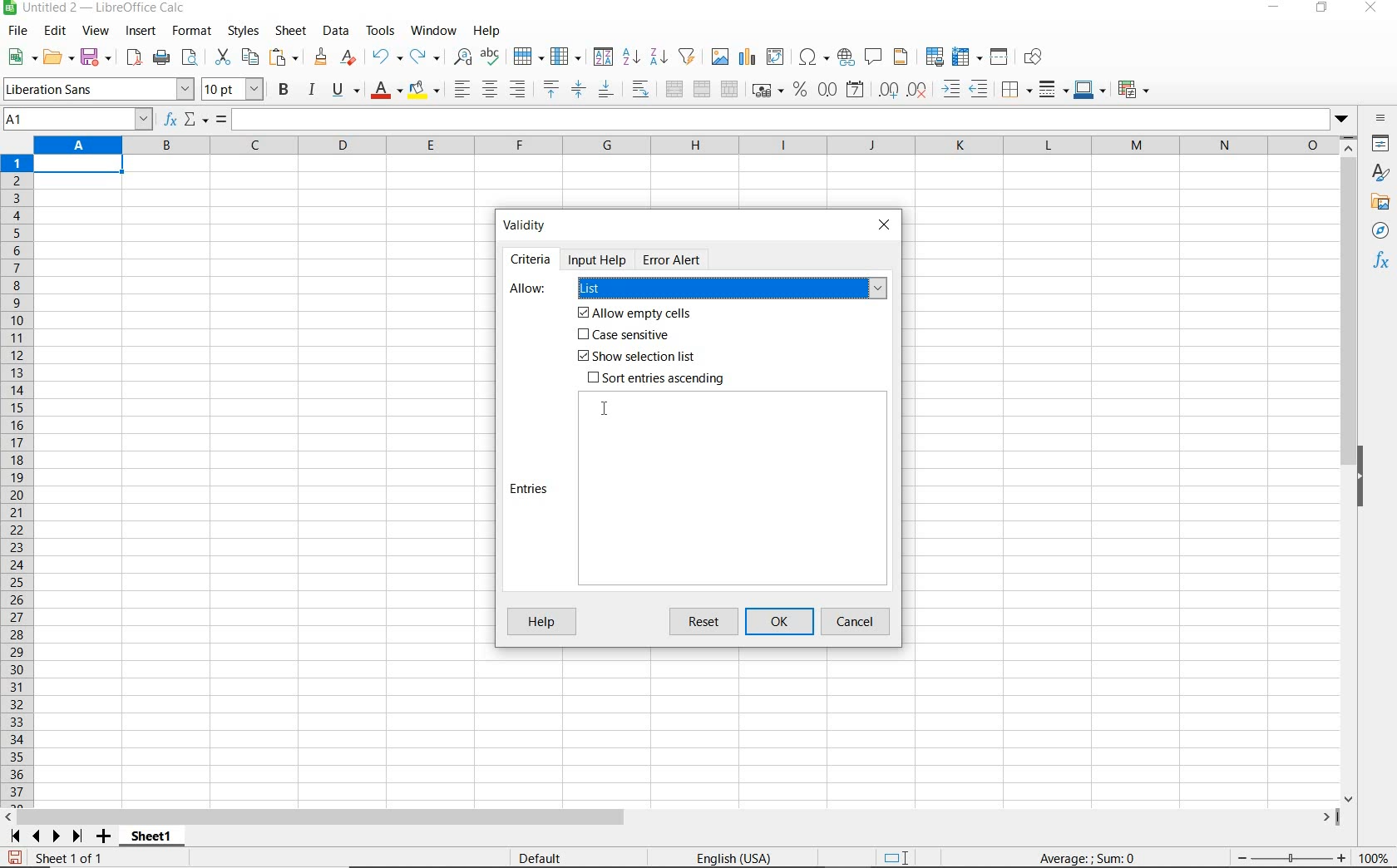 Image resolution: width=1397 pixels, height=868 pixels. What do you see at coordinates (285, 89) in the screenshot?
I see `bold` at bounding box center [285, 89].